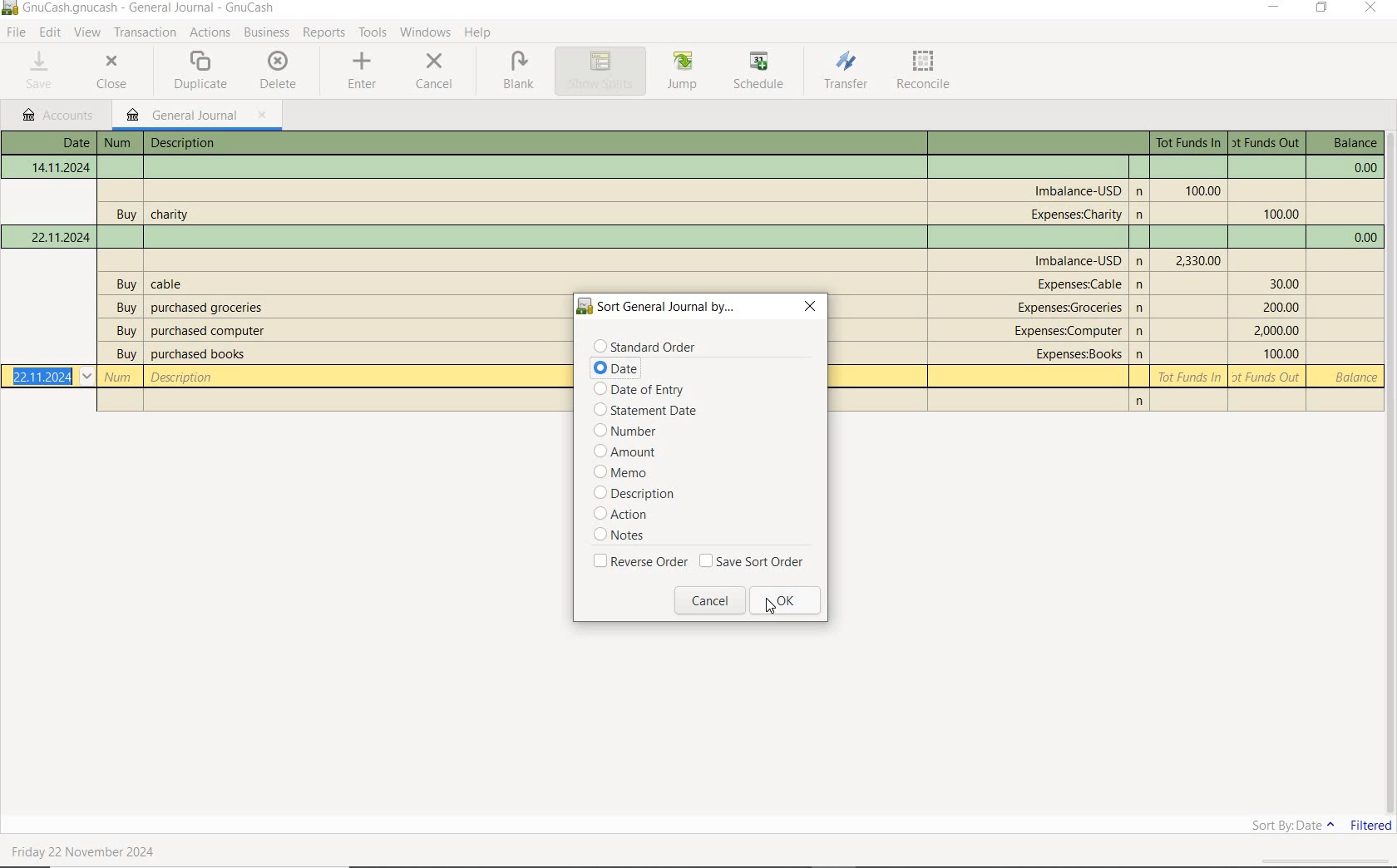 The width and height of the screenshot is (1397, 868). What do you see at coordinates (1389, 471) in the screenshot?
I see `SCROLLBAR` at bounding box center [1389, 471].